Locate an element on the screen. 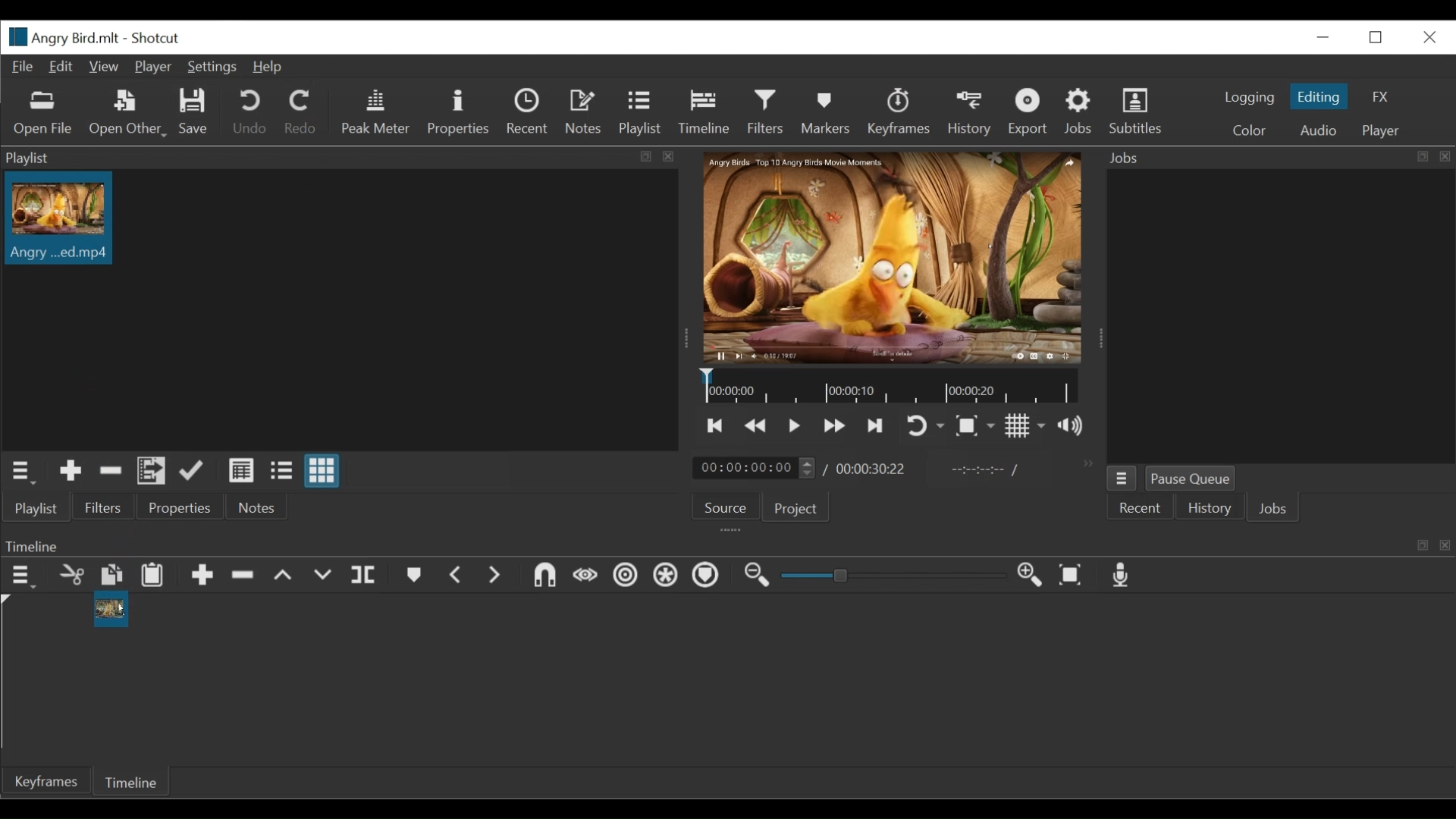  Play quickly forward is located at coordinates (756, 425).